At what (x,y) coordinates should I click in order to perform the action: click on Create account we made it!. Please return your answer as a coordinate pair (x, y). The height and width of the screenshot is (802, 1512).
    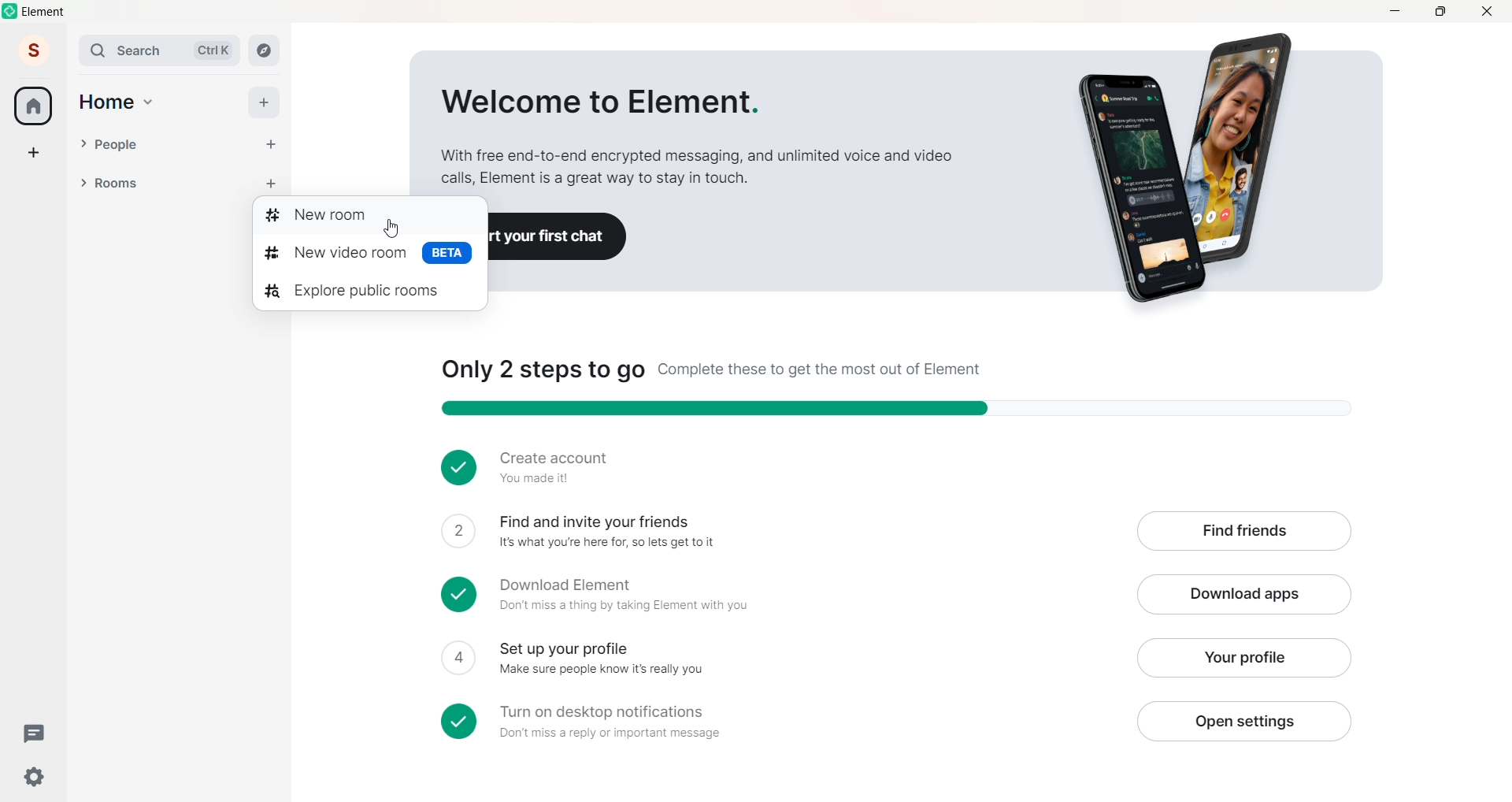
    Looking at the image, I should click on (888, 466).